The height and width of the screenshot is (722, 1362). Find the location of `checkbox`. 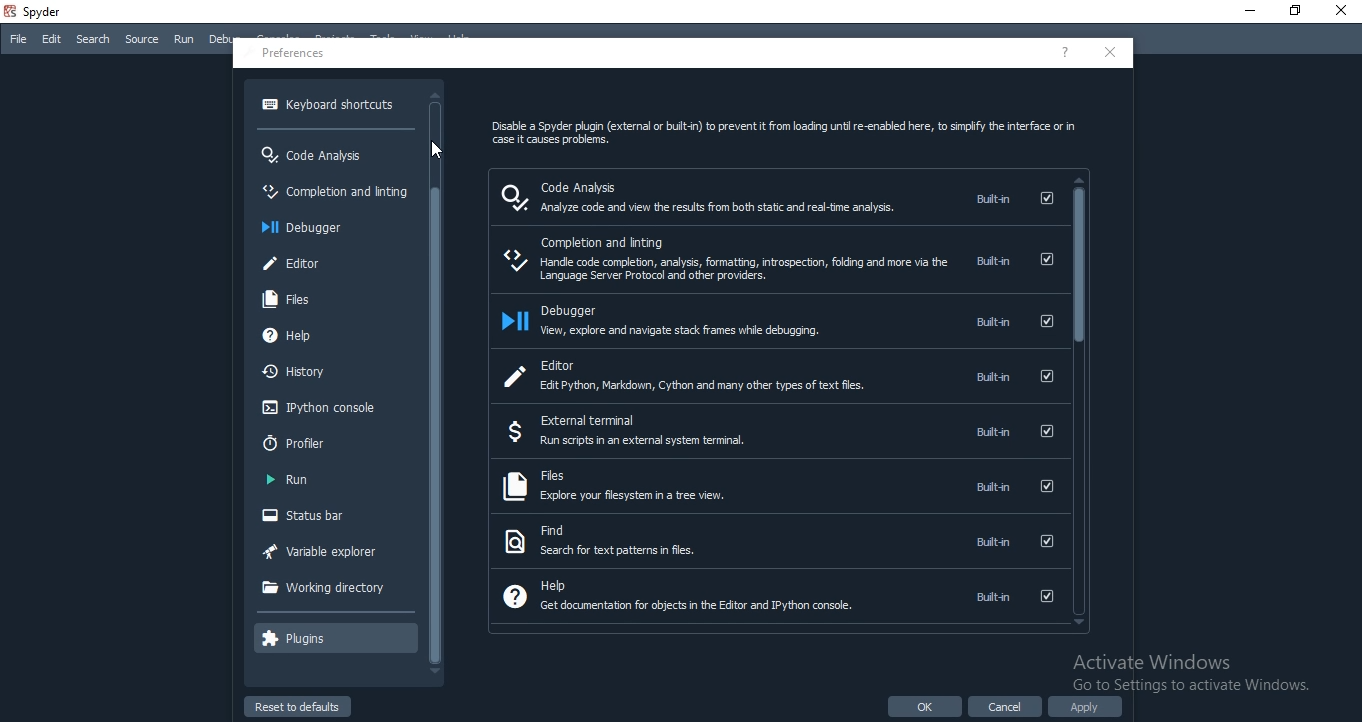

checkbox is located at coordinates (1045, 488).